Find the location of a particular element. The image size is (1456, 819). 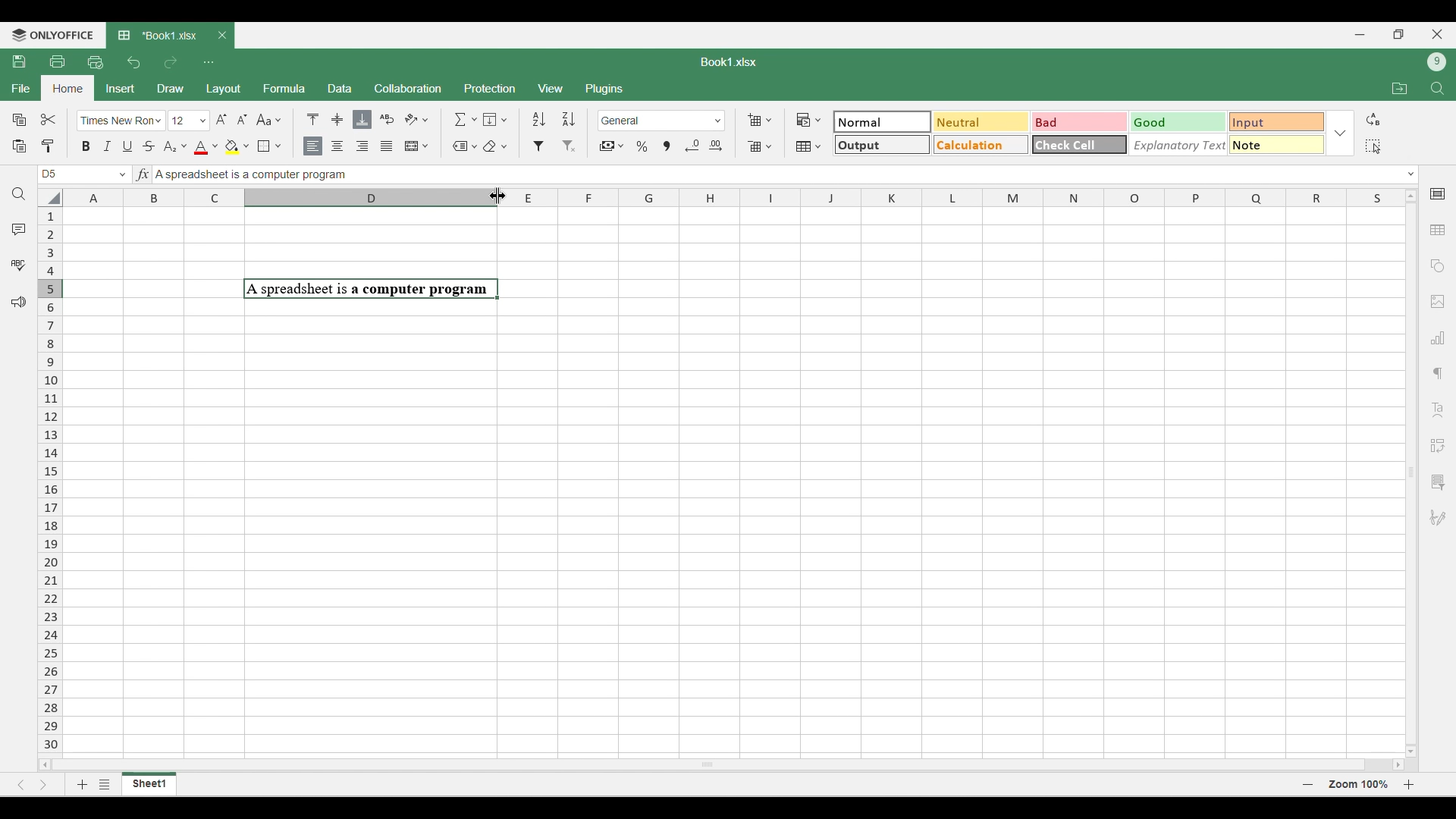

Zoom out is located at coordinates (1308, 784).